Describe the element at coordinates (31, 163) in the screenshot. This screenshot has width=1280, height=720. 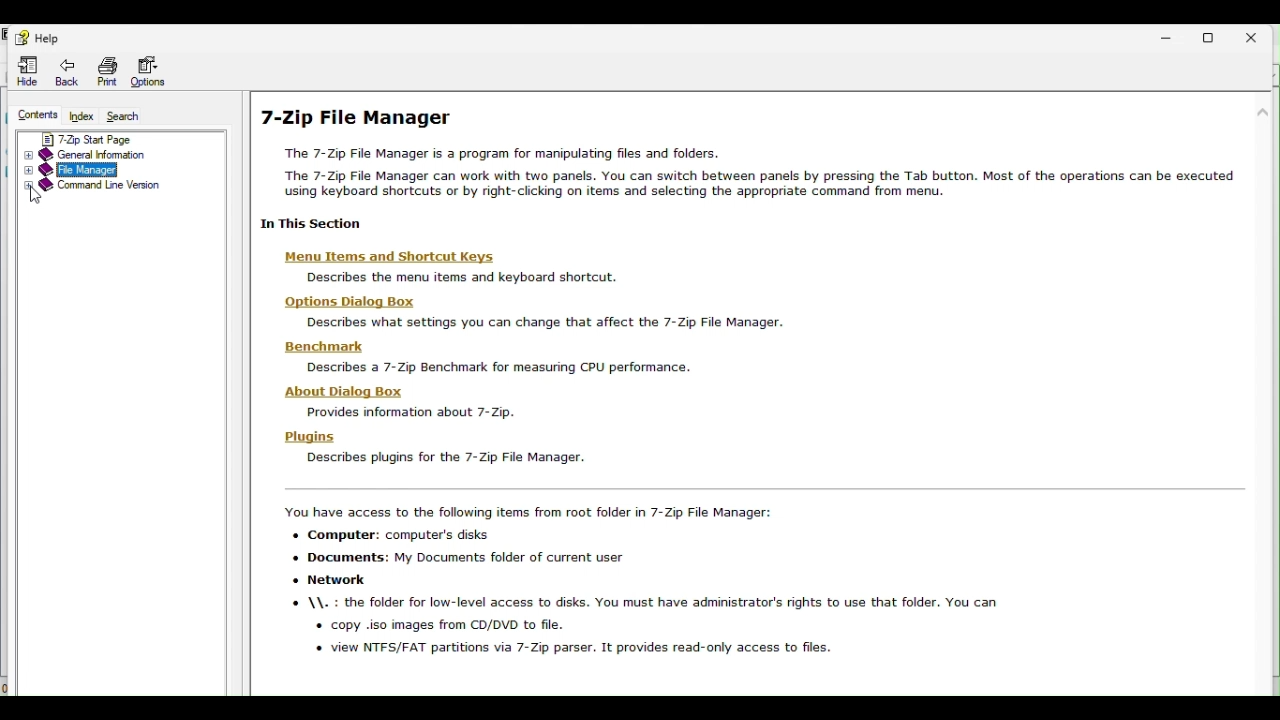
I see `expand` at that location.